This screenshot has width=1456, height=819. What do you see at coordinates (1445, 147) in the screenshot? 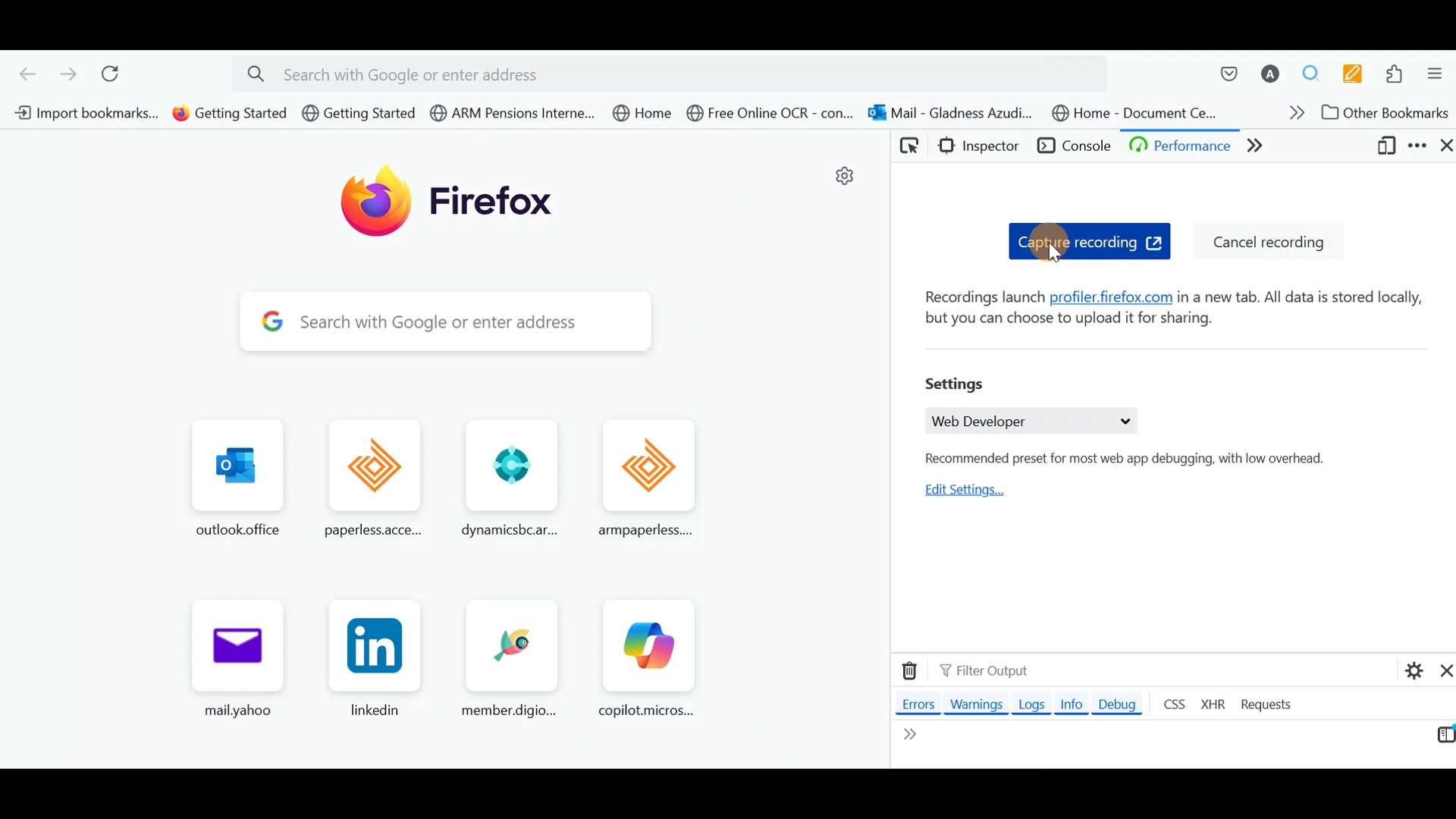
I see `Close developer tools` at bounding box center [1445, 147].